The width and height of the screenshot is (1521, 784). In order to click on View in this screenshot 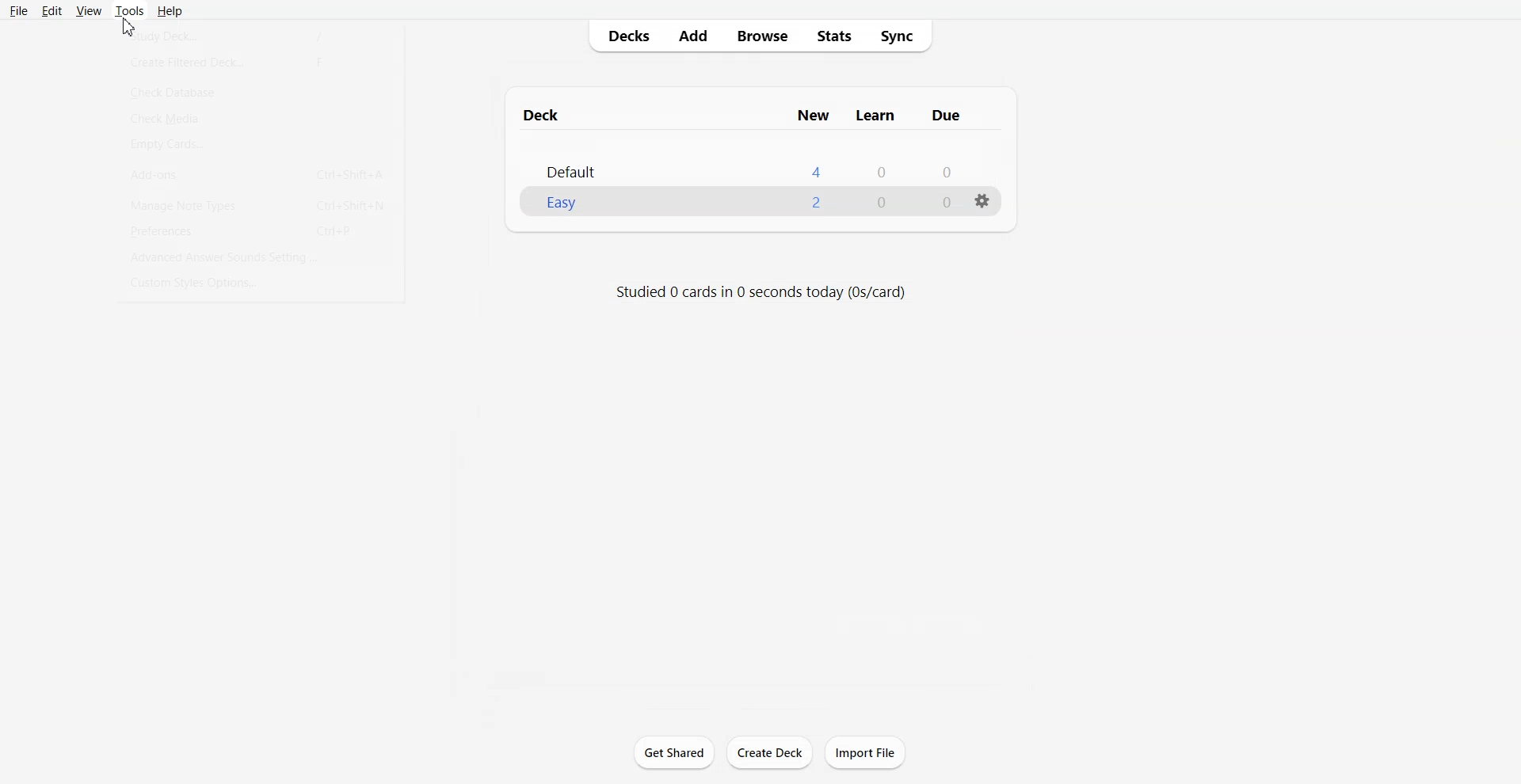, I will do `click(89, 10)`.